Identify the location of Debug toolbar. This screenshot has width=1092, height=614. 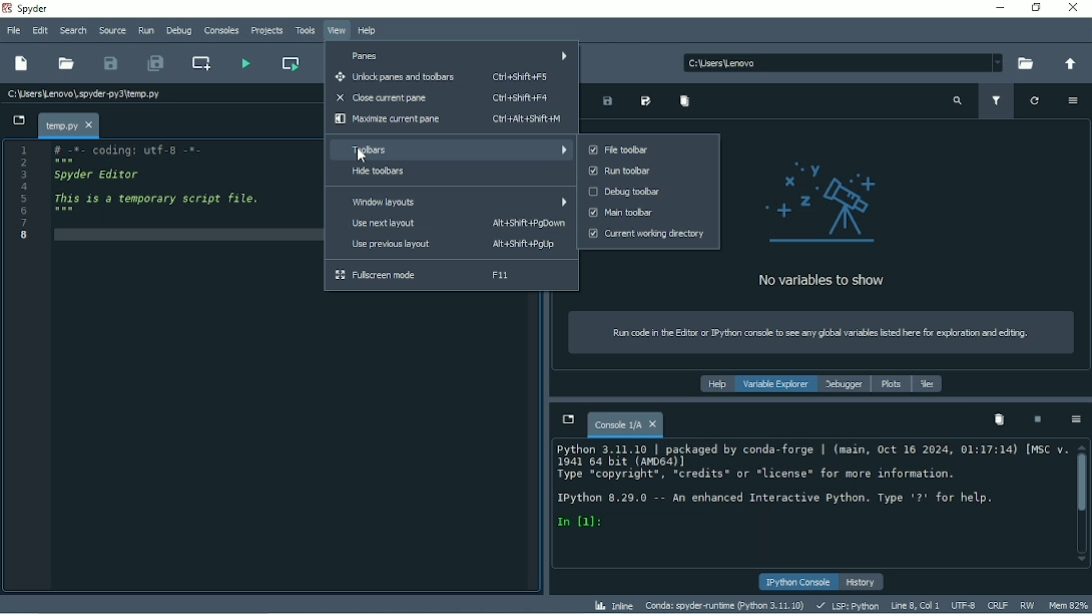
(650, 192).